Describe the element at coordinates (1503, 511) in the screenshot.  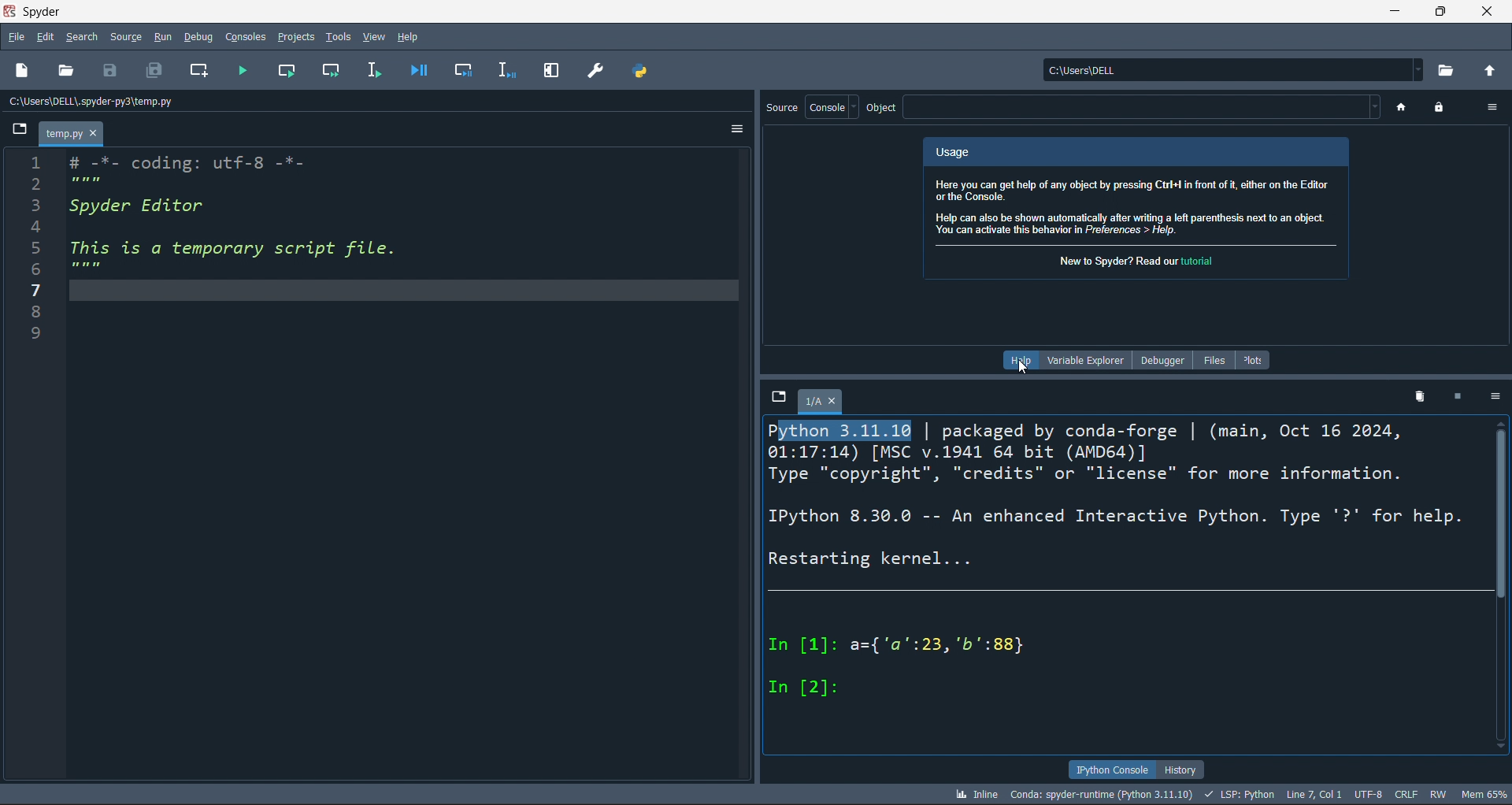
I see `vertical scroll bar` at that location.